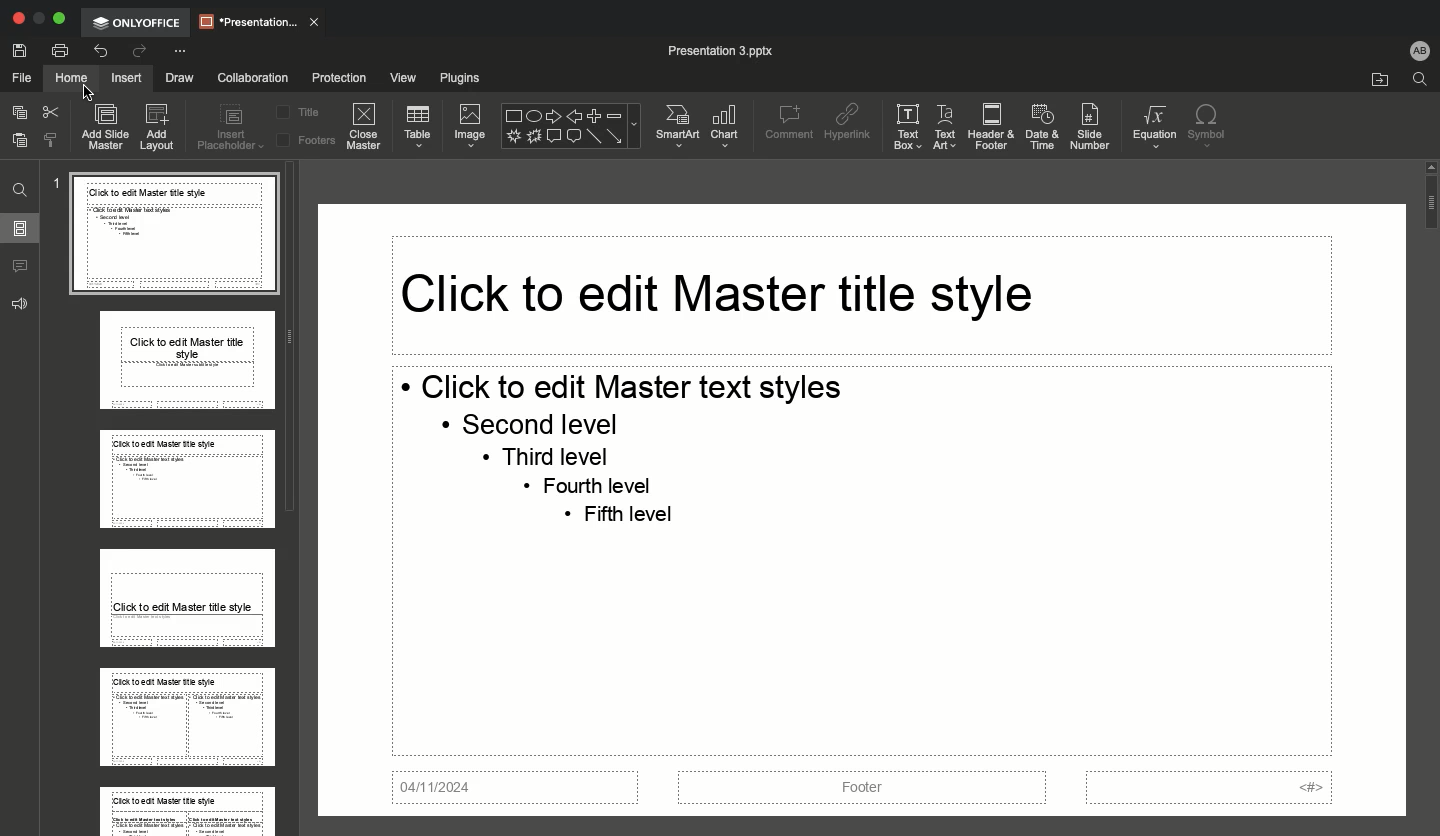  Describe the element at coordinates (529, 424) in the screenshot. I see `+ Second level` at that location.